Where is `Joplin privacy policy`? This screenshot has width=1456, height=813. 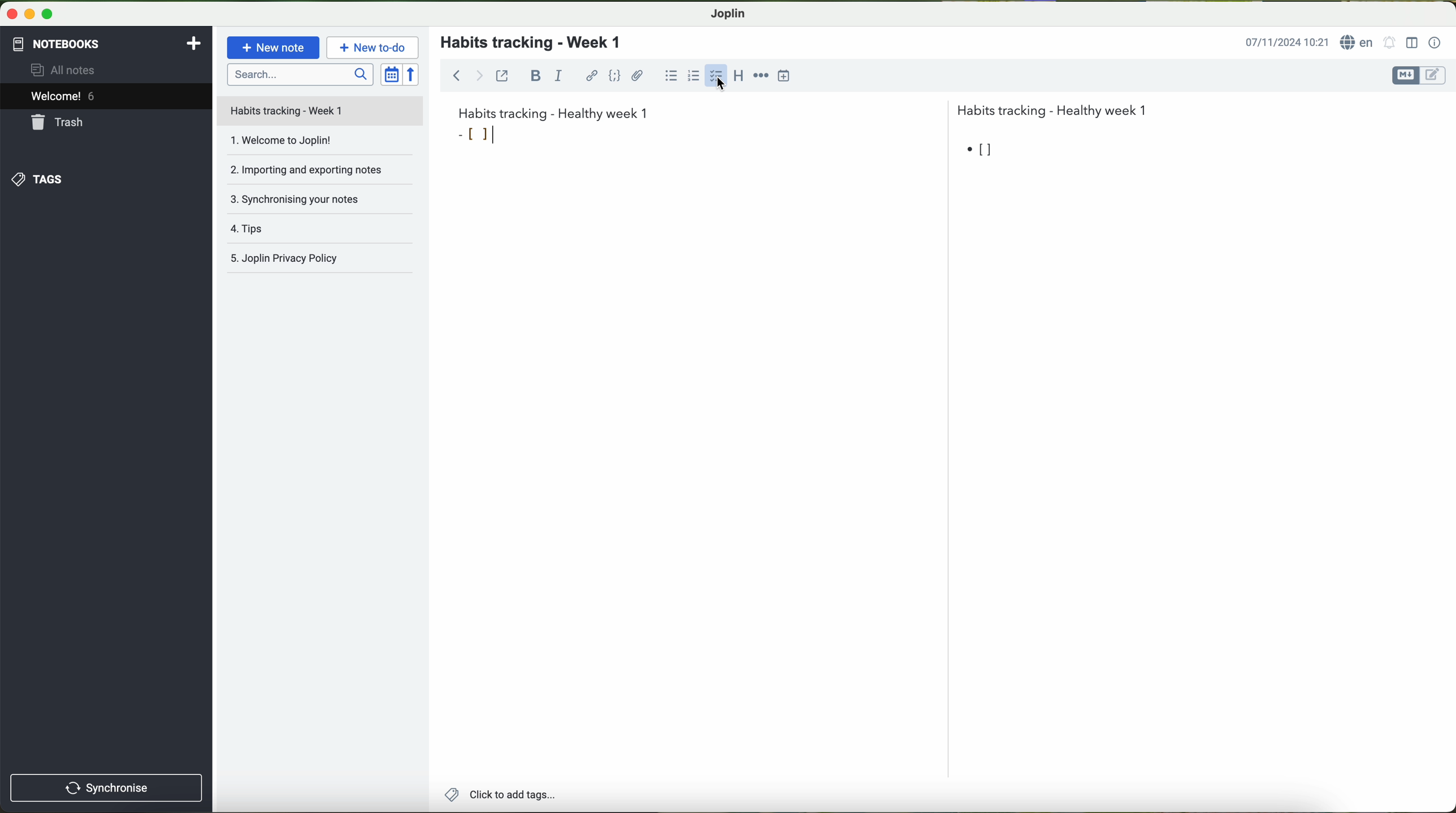
Joplin privacy policy is located at coordinates (321, 260).